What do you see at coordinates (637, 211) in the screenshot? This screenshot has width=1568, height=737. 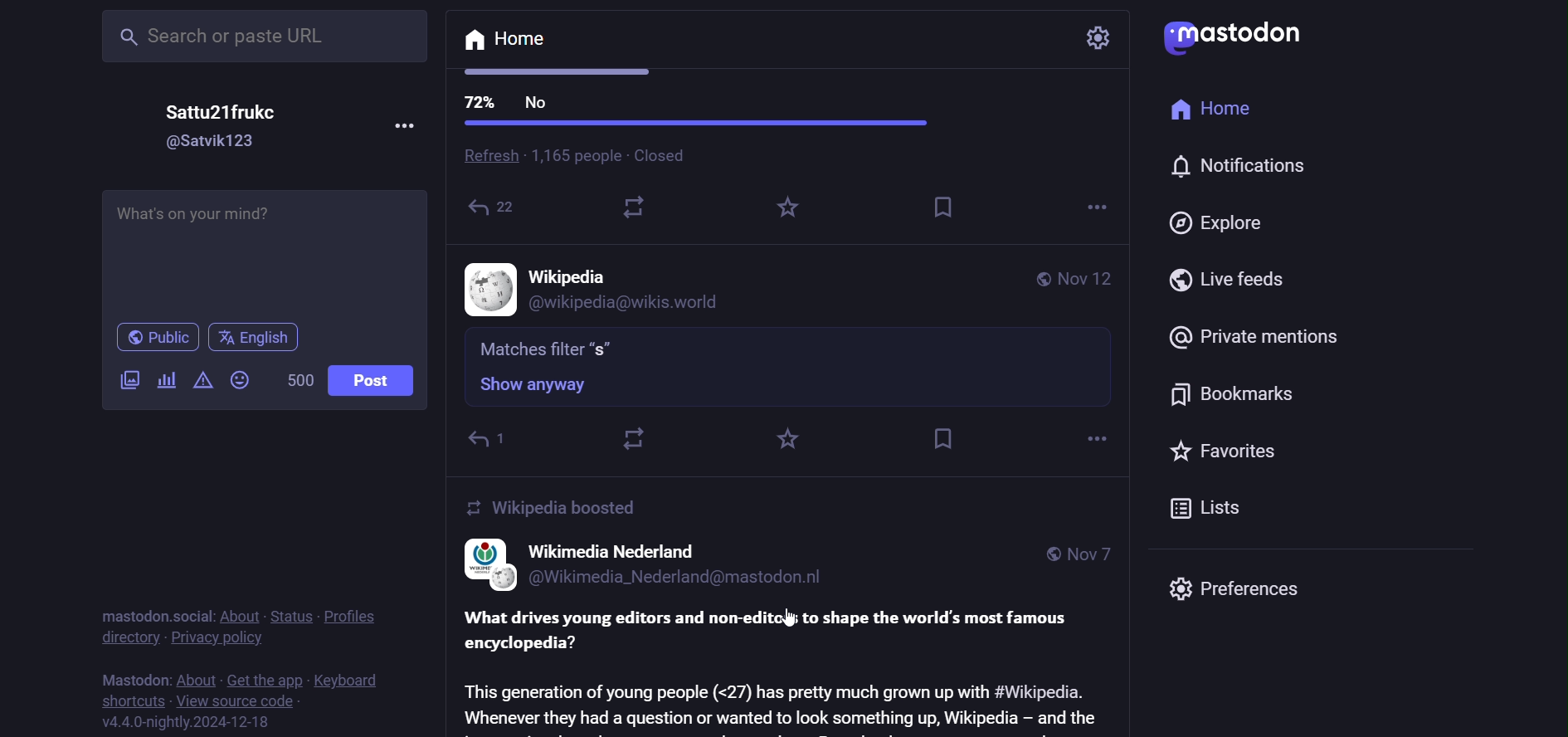 I see `reshare` at bounding box center [637, 211].